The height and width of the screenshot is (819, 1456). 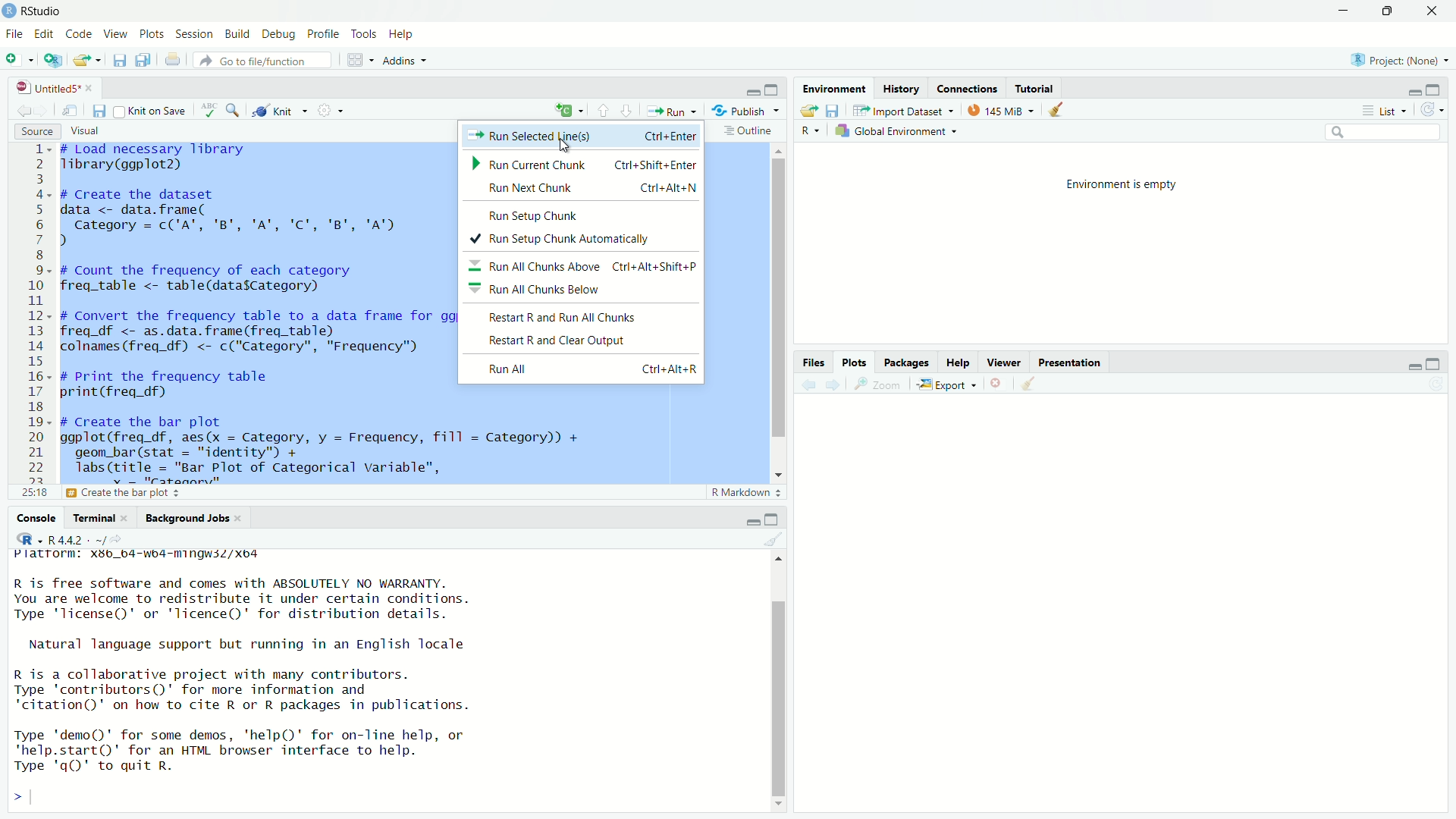 What do you see at coordinates (879, 384) in the screenshot?
I see `zoom` at bounding box center [879, 384].